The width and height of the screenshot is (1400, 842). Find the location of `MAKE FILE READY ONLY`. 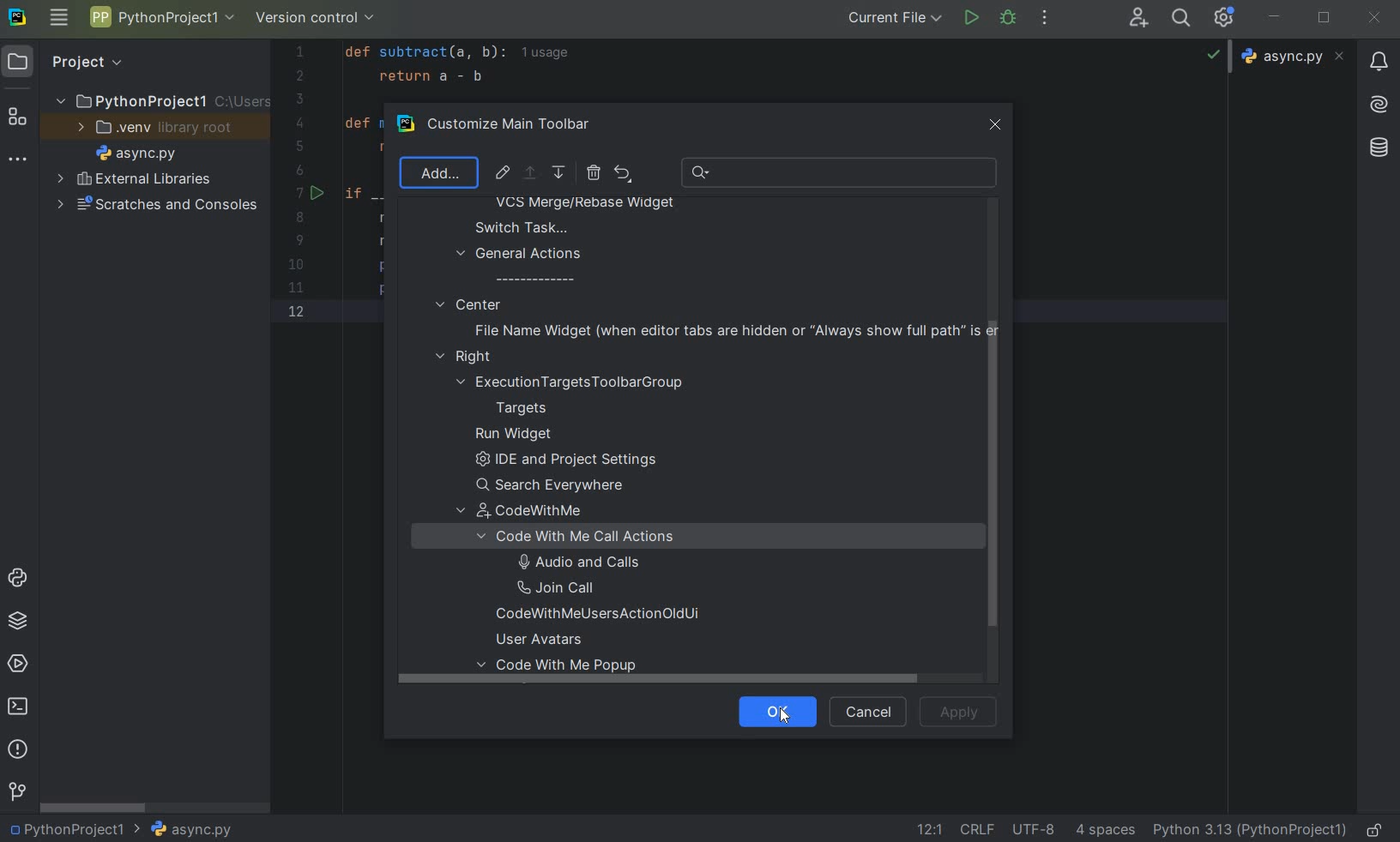

MAKE FILE READY ONLY is located at coordinates (1378, 828).